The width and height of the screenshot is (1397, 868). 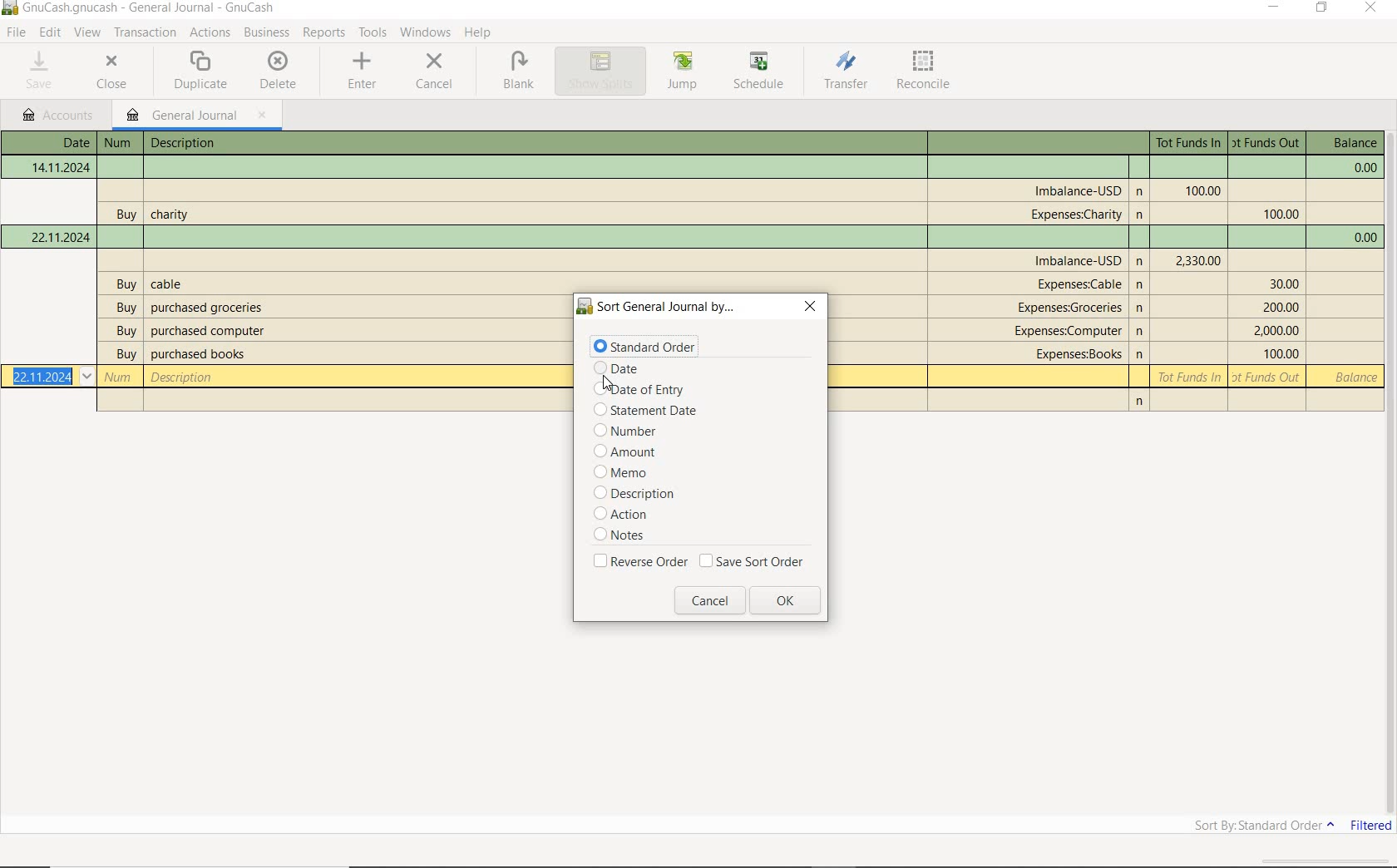 I want to click on amount, so click(x=635, y=454).